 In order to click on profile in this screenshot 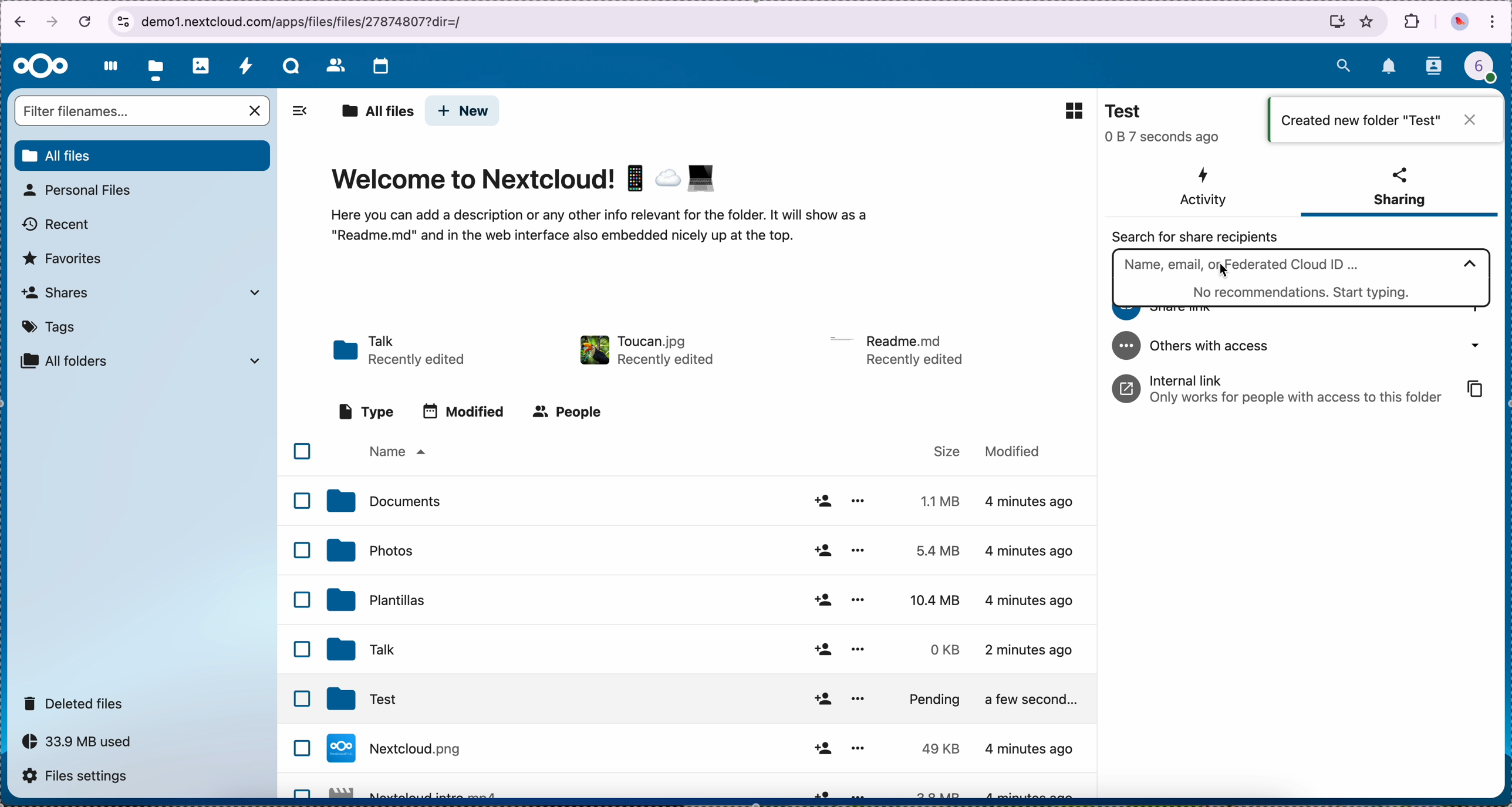, I will do `click(1487, 70)`.